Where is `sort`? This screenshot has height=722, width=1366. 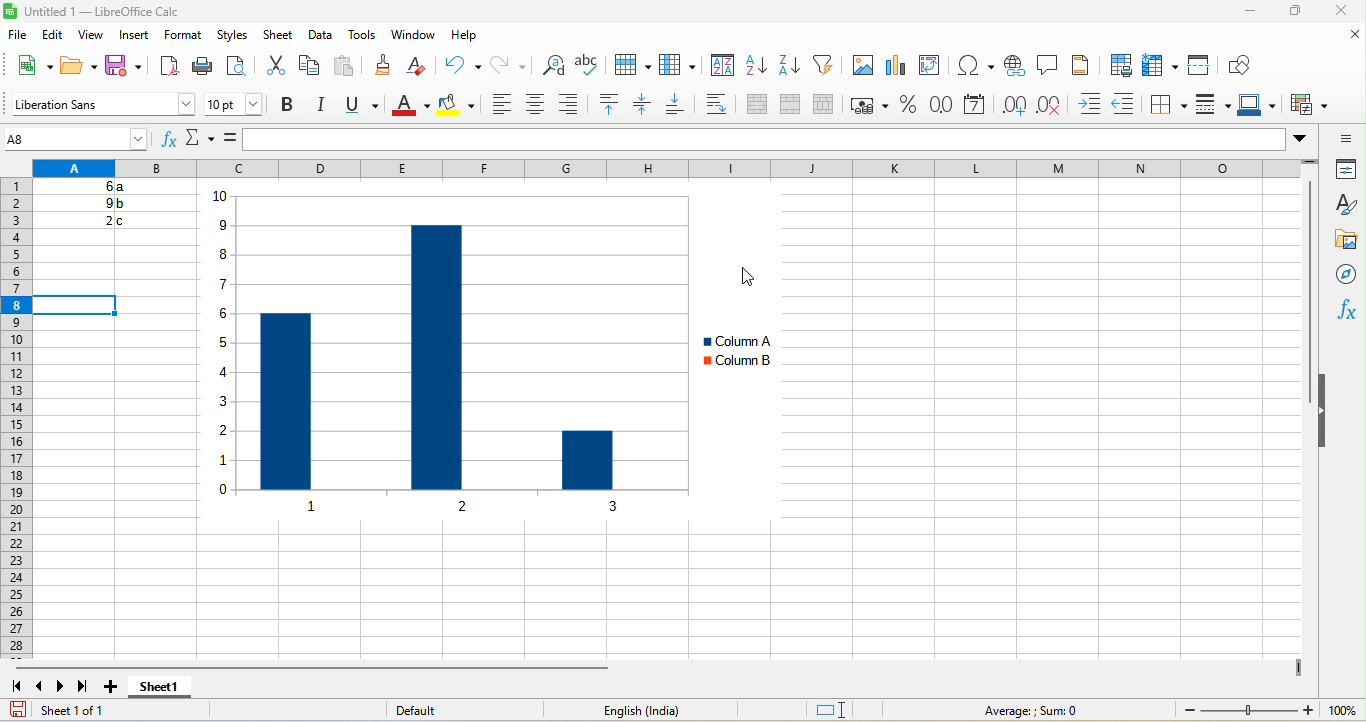 sort is located at coordinates (719, 70).